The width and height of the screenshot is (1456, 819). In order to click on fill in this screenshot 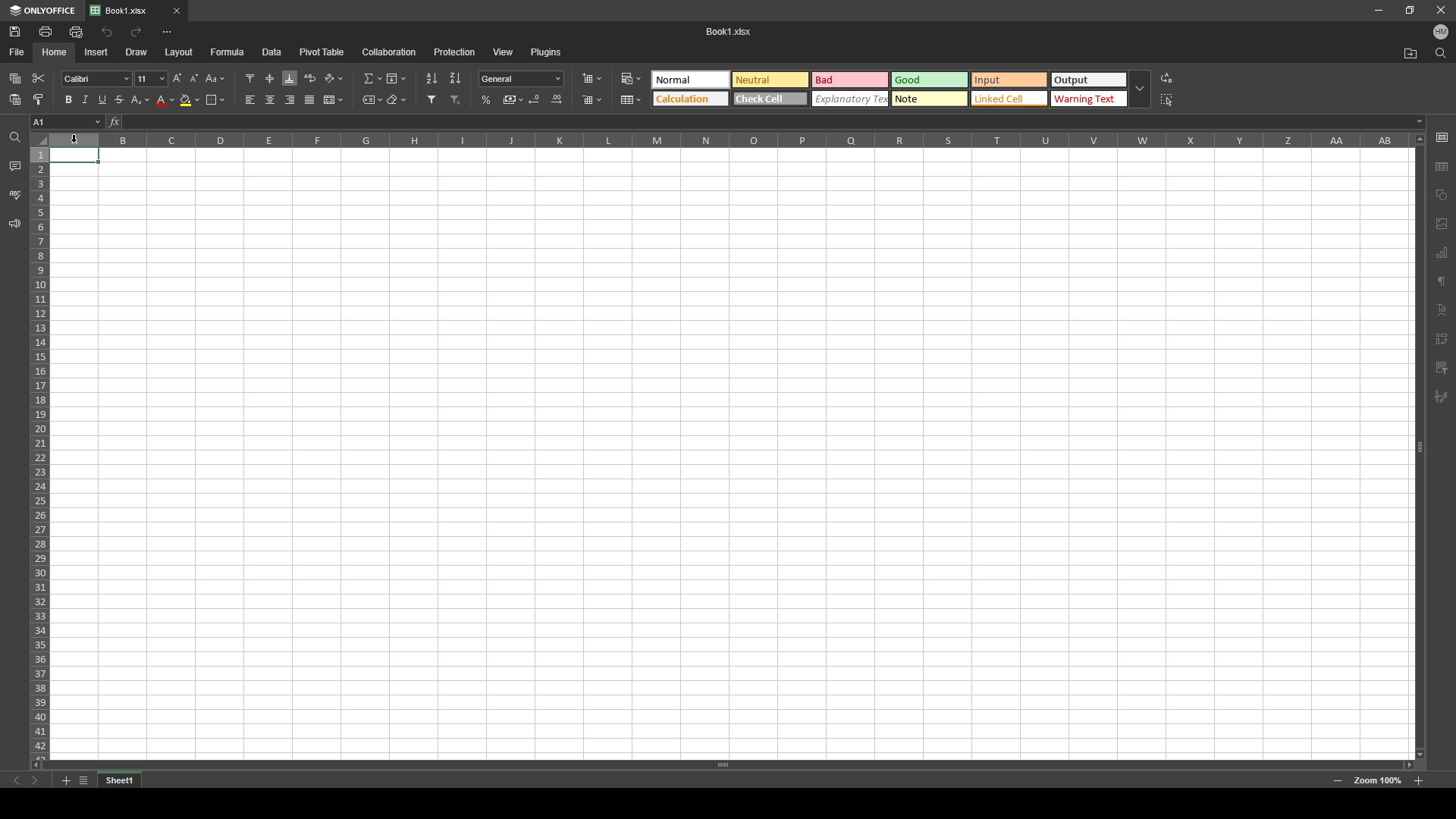, I will do `click(395, 78)`.